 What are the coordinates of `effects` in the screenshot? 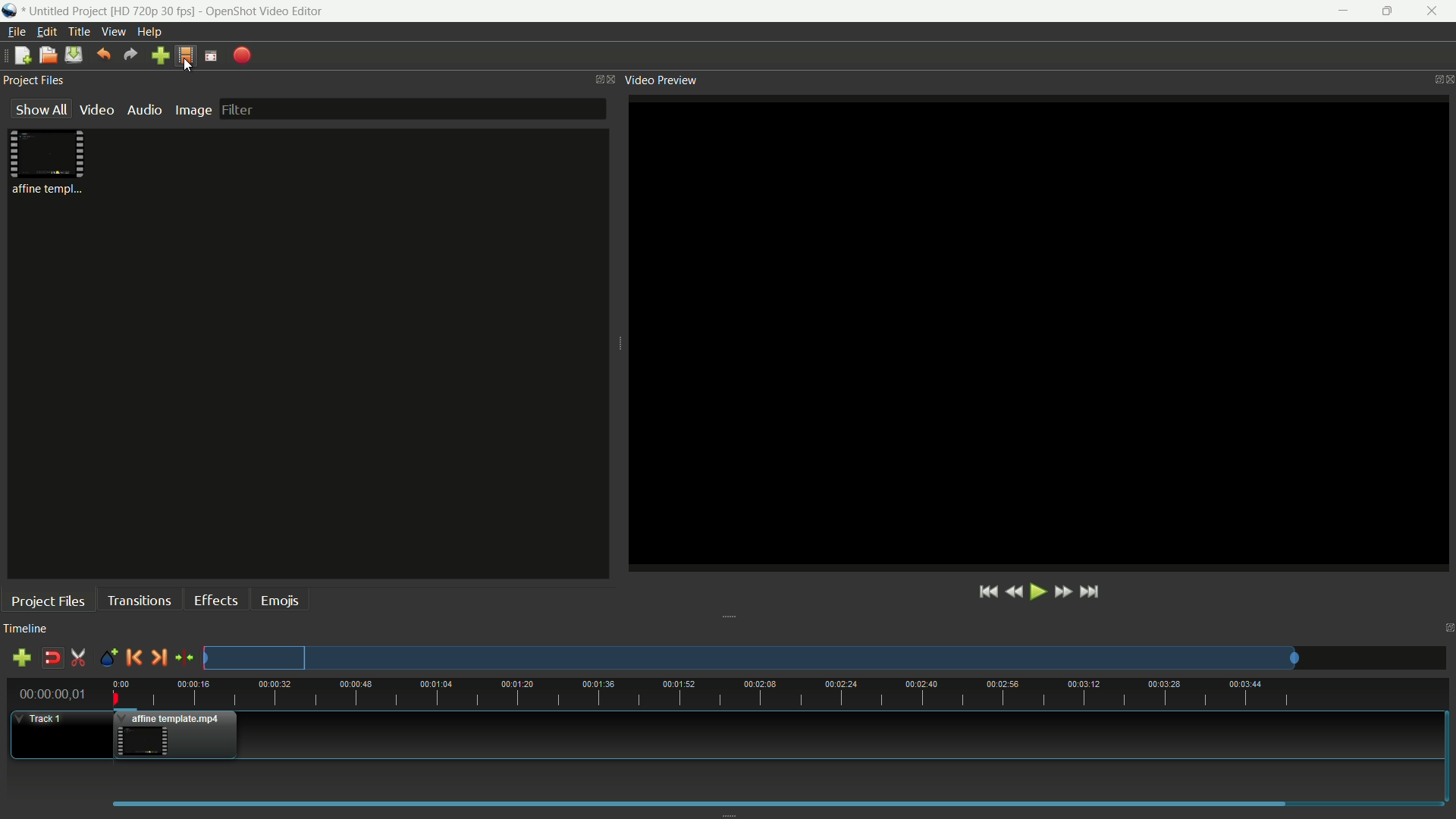 It's located at (215, 600).